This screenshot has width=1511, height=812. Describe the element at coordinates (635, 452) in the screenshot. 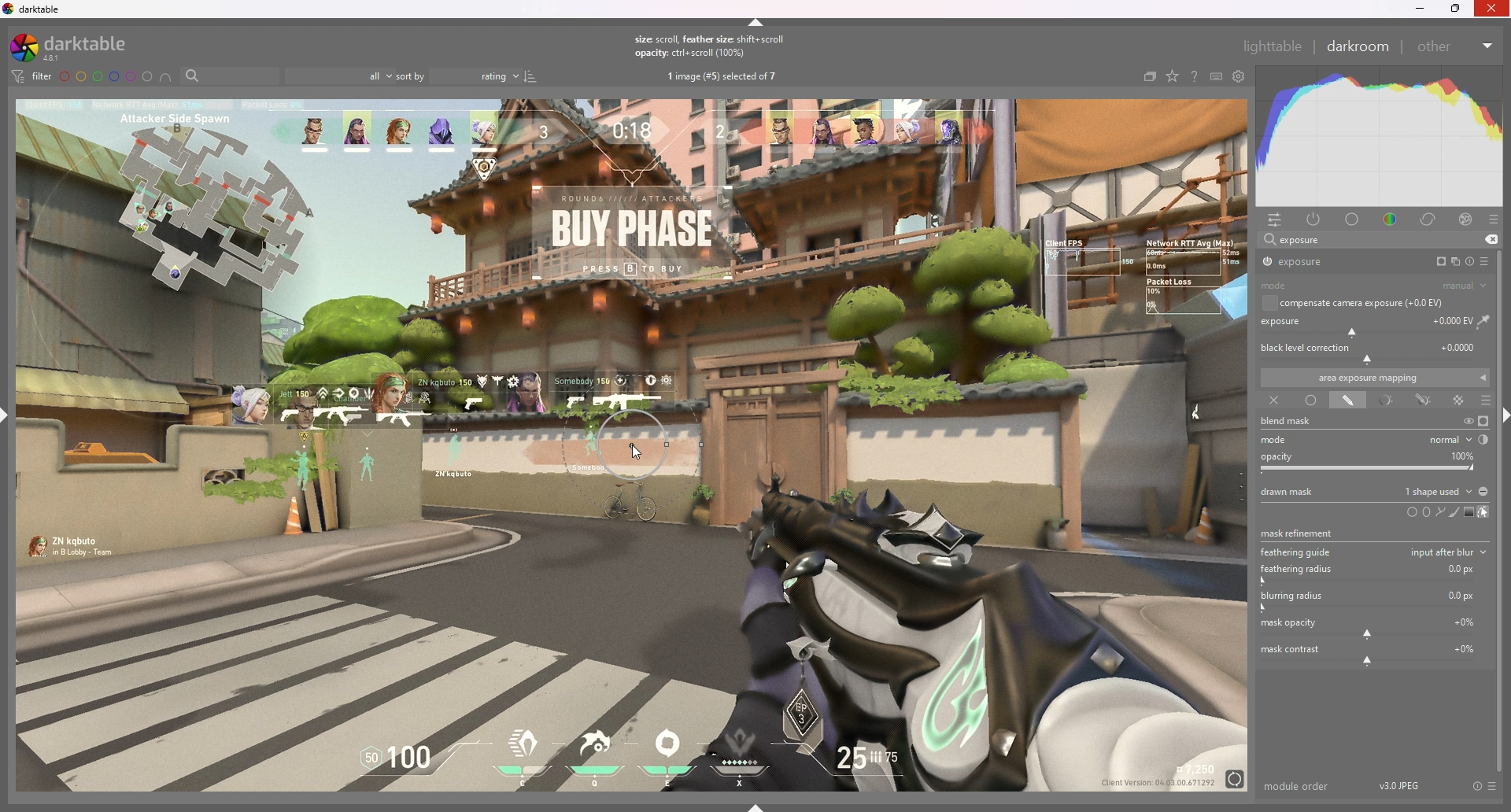

I see `cursor` at that location.